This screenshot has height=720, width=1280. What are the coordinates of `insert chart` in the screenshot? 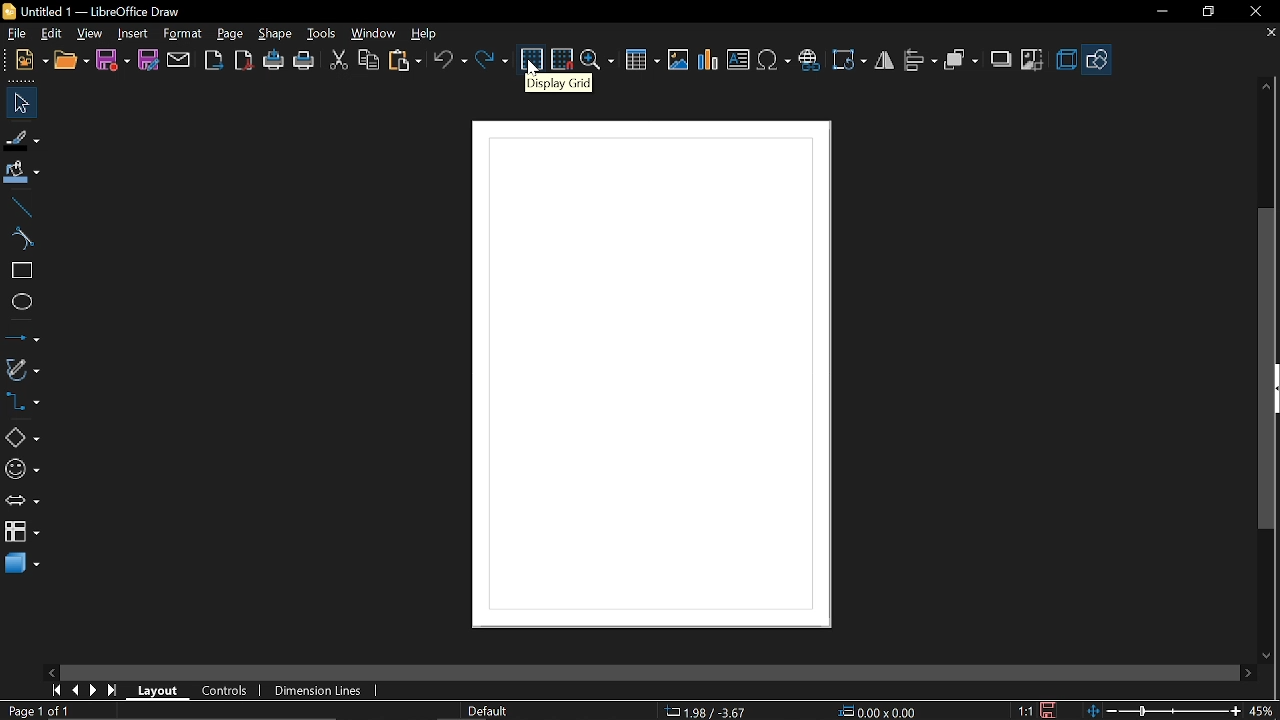 It's located at (710, 60).